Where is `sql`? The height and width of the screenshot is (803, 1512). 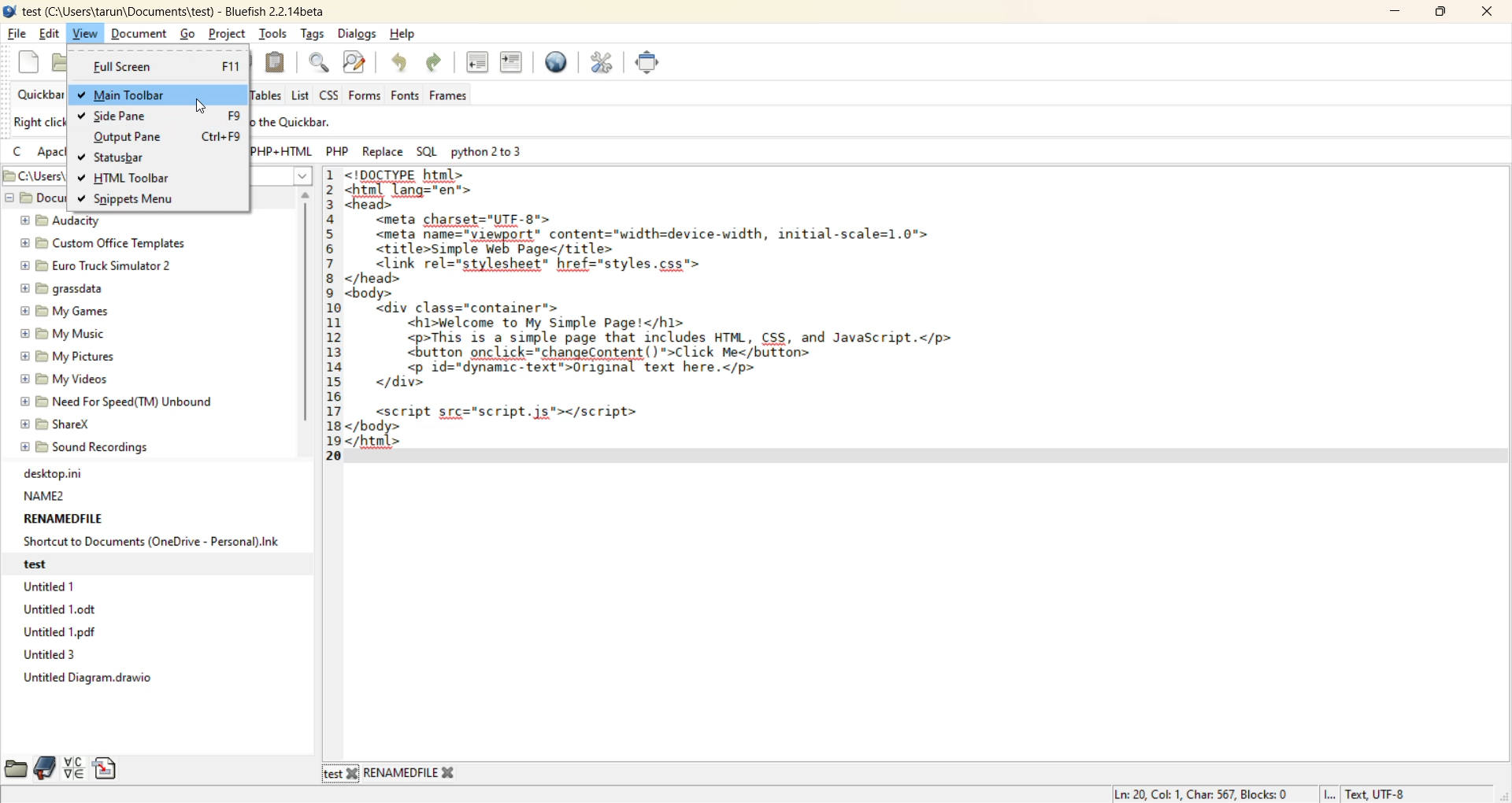 sql is located at coordinates (428, 151).